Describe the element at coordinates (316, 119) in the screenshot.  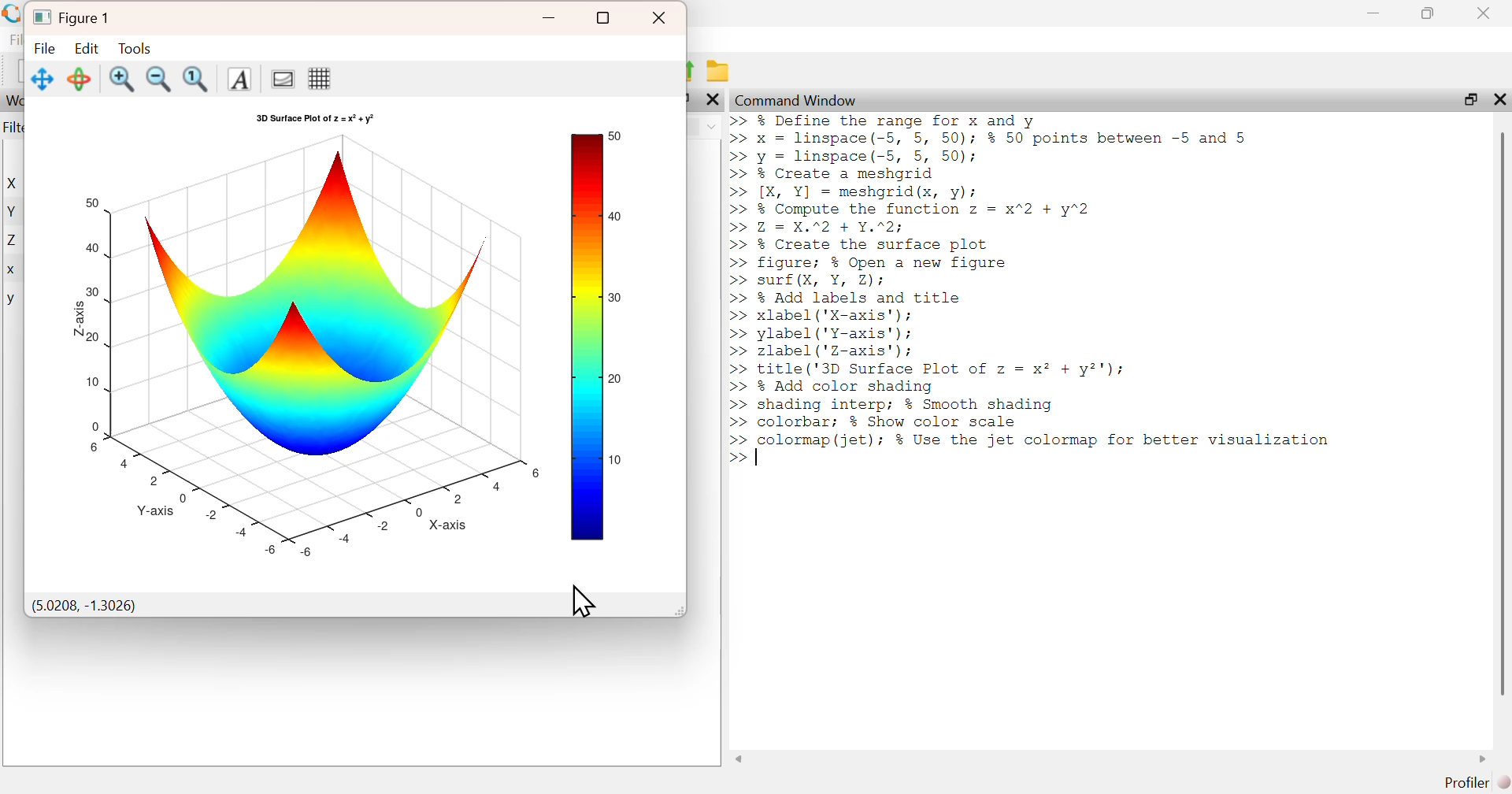
I see `3D Surface Plot of z =x2 + y2` at that location.